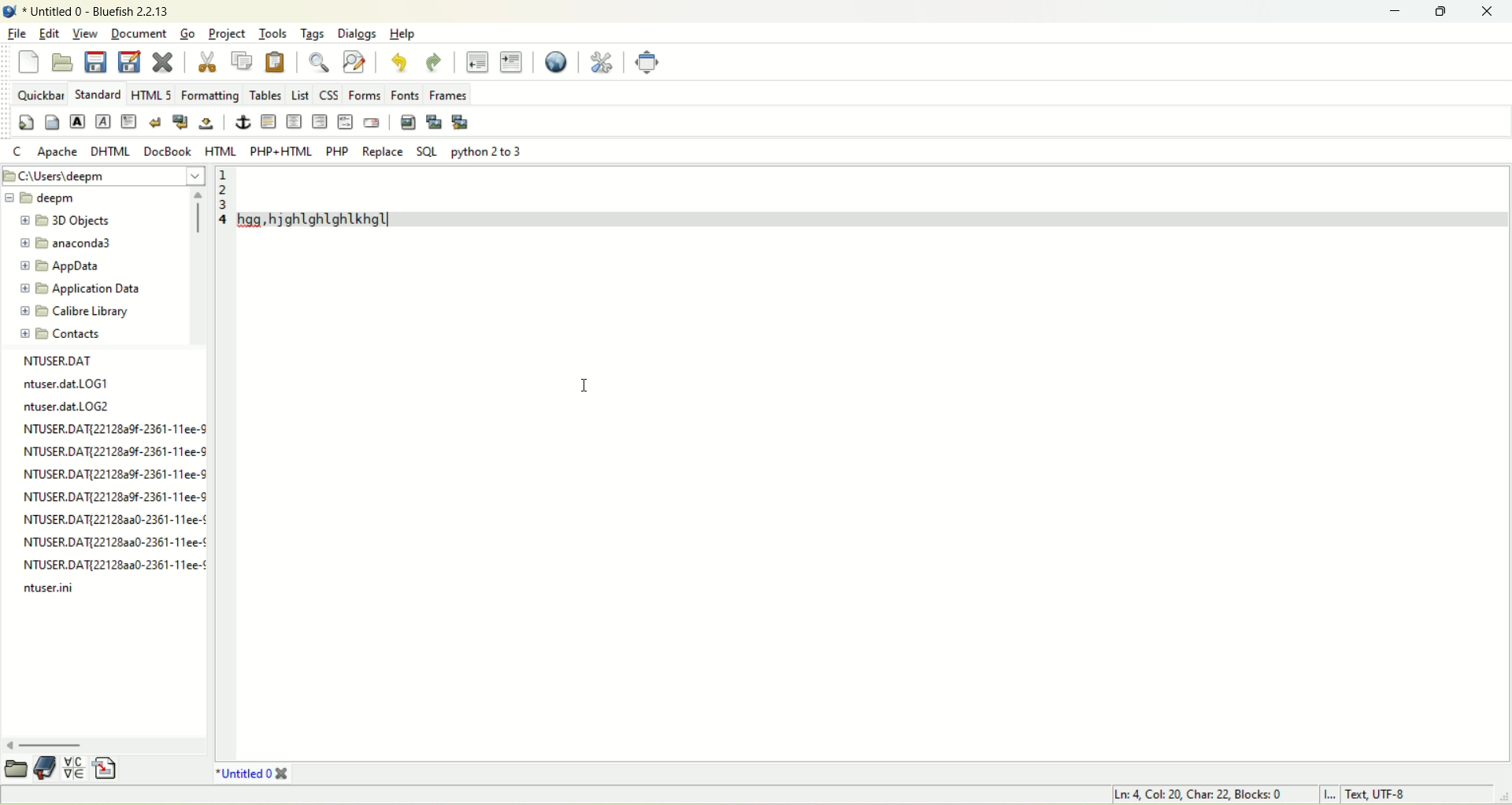 This screenshot has width=1512, height=805. I want to click on folder name, so click(65, 265).